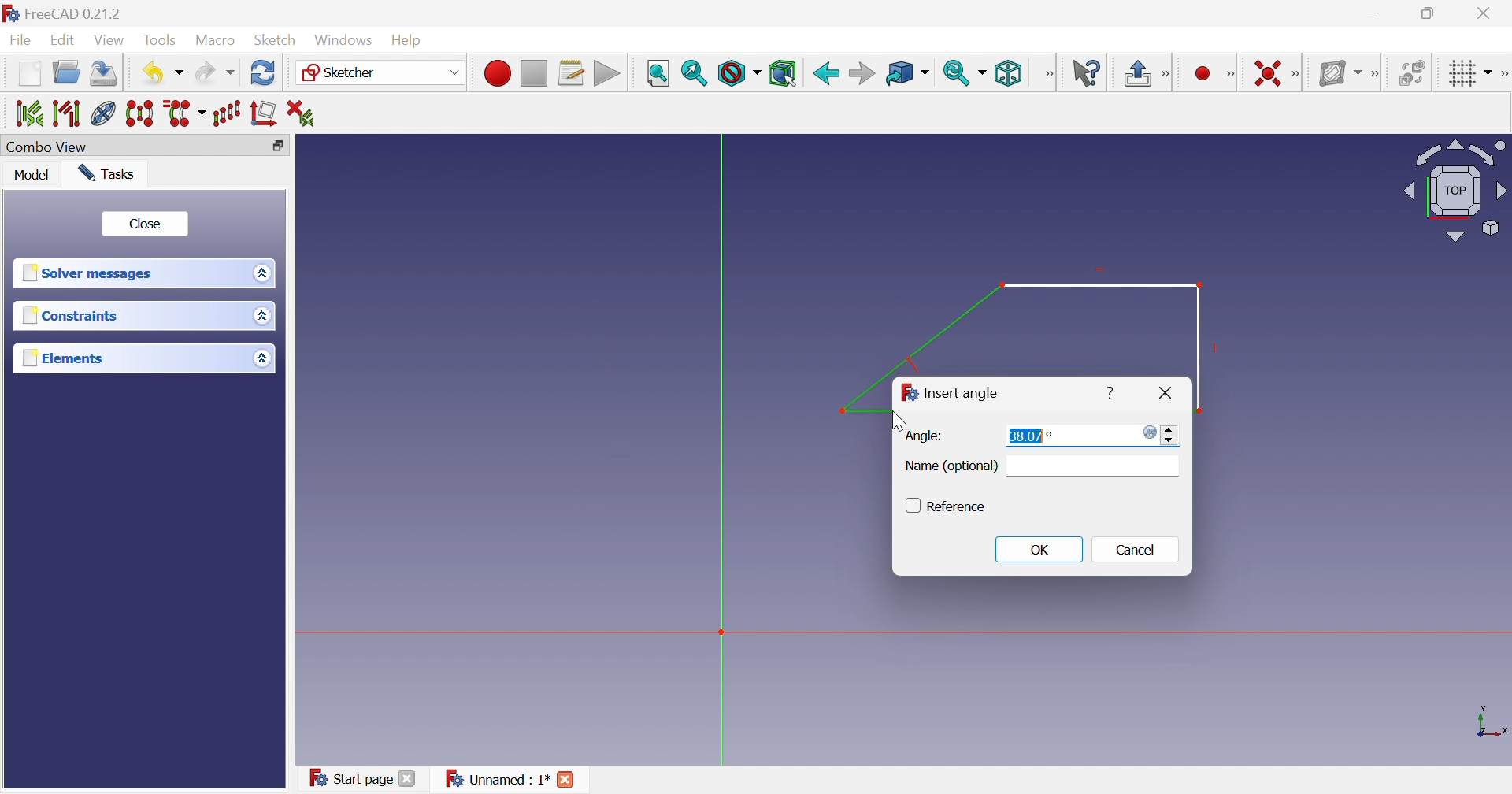 The height and width of the screenshot is (794, 1512). Describe the element at coordinates (738, 74) in the screenshot. I see `Draw Style` at that location.